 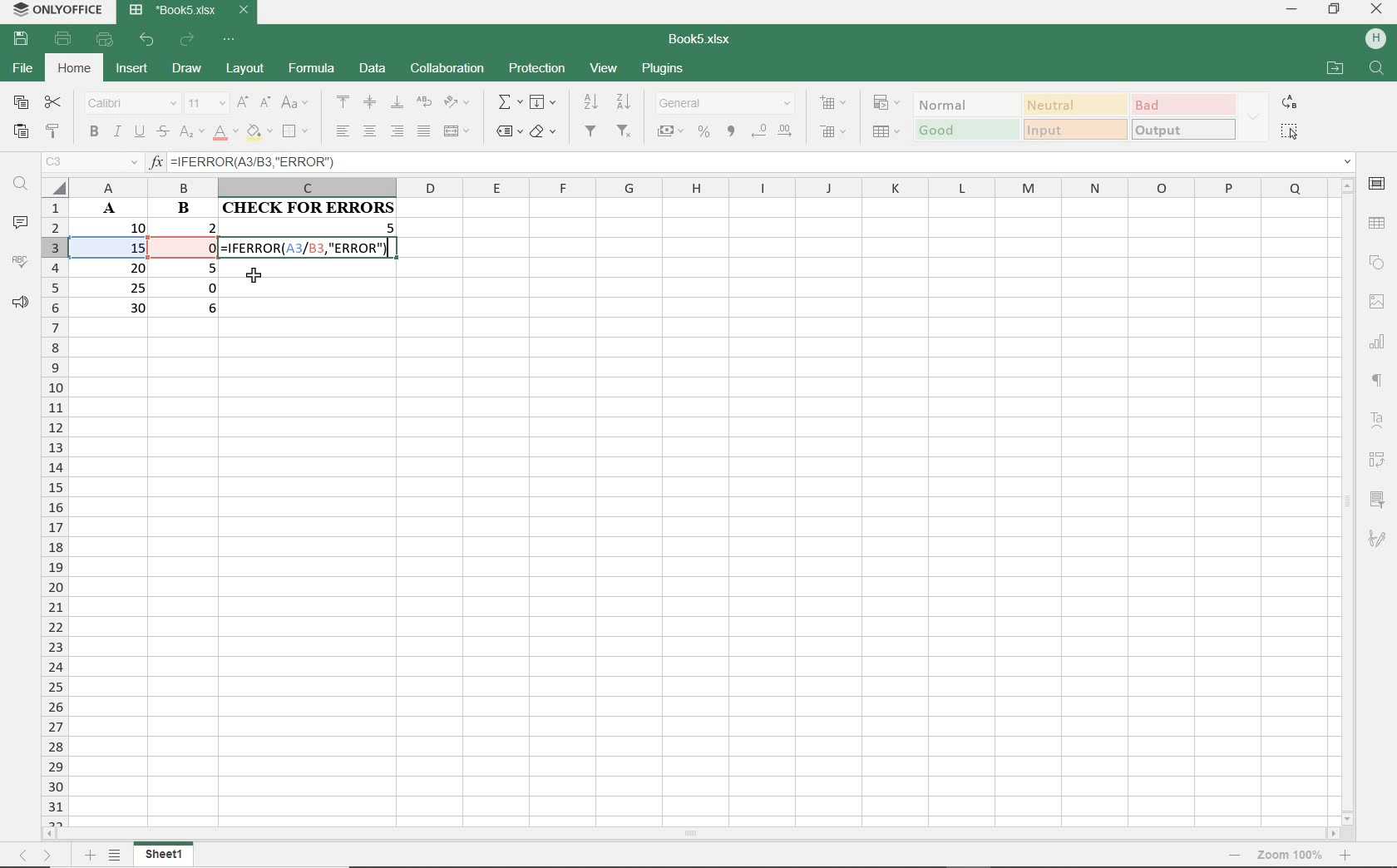 I want to click on CUSTOMIZE QUICK ACCESS TOOLBAR, so click(x=228, y=40).